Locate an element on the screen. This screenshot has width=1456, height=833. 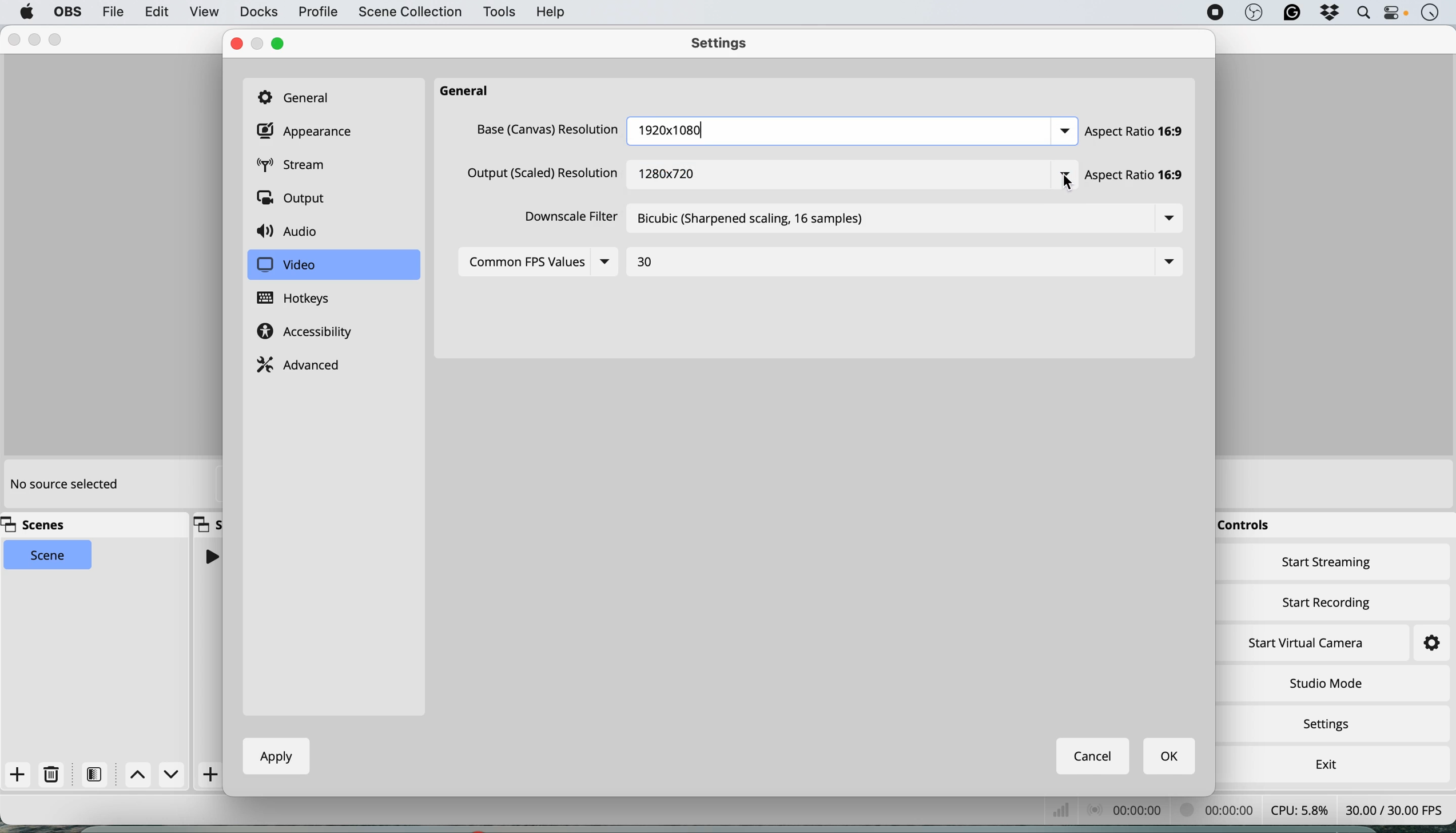
scenes is located at coordinates (39, 525).